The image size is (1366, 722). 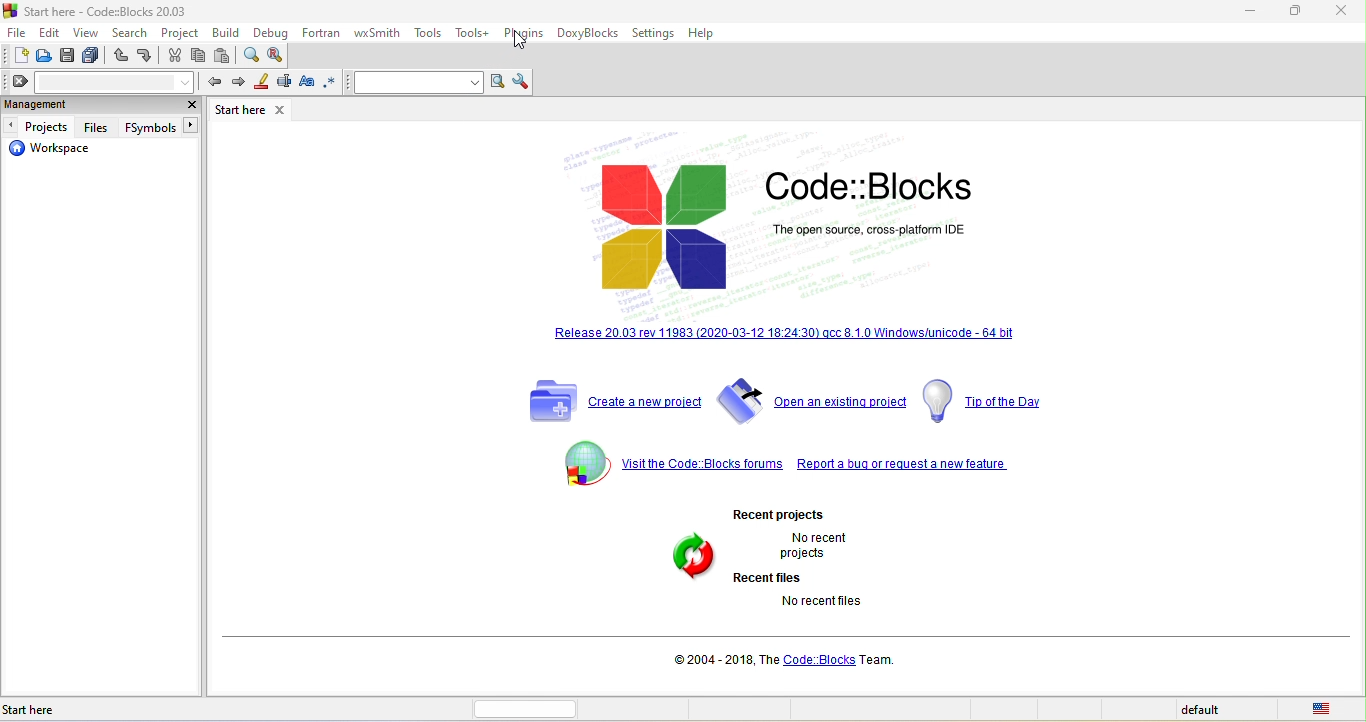 What do you see at coordinates (254, 110) in the screenshot?
I see `start here` at bounding box center [254, 110].